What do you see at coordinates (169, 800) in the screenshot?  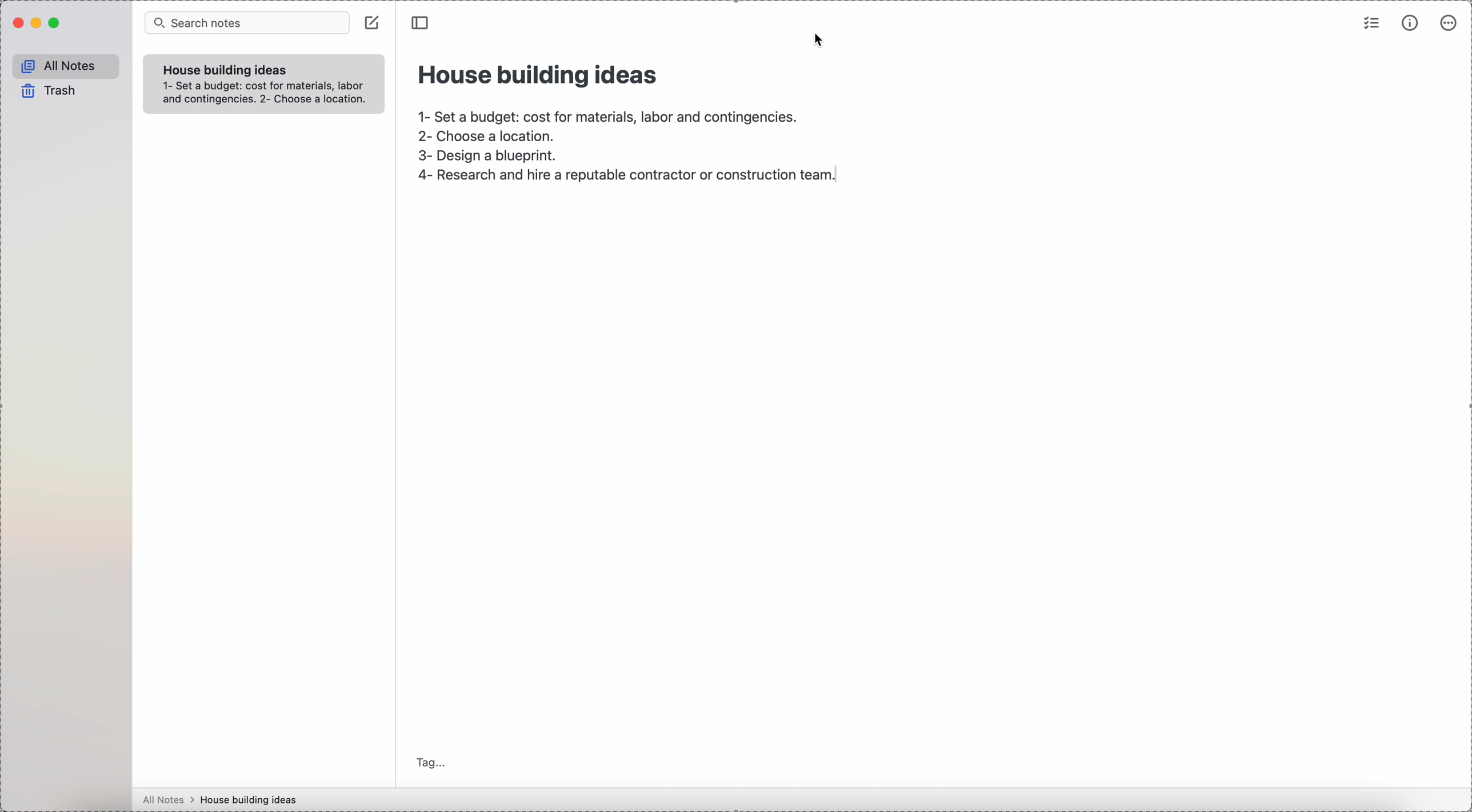 I see `all notes` at bounding box center [169, 800].